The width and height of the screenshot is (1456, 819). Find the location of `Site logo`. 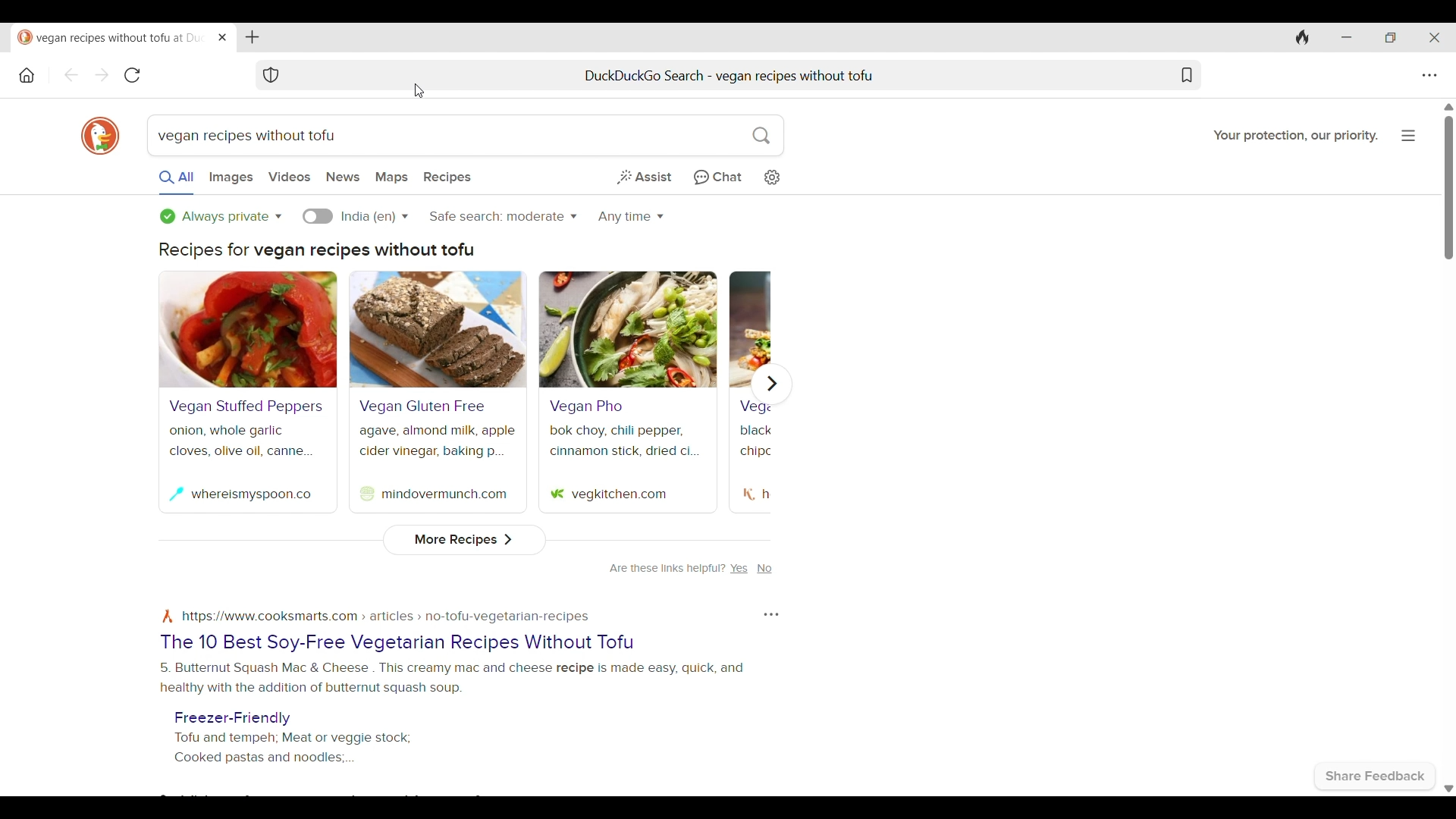

Site logo is located at coordinates (749, 494).